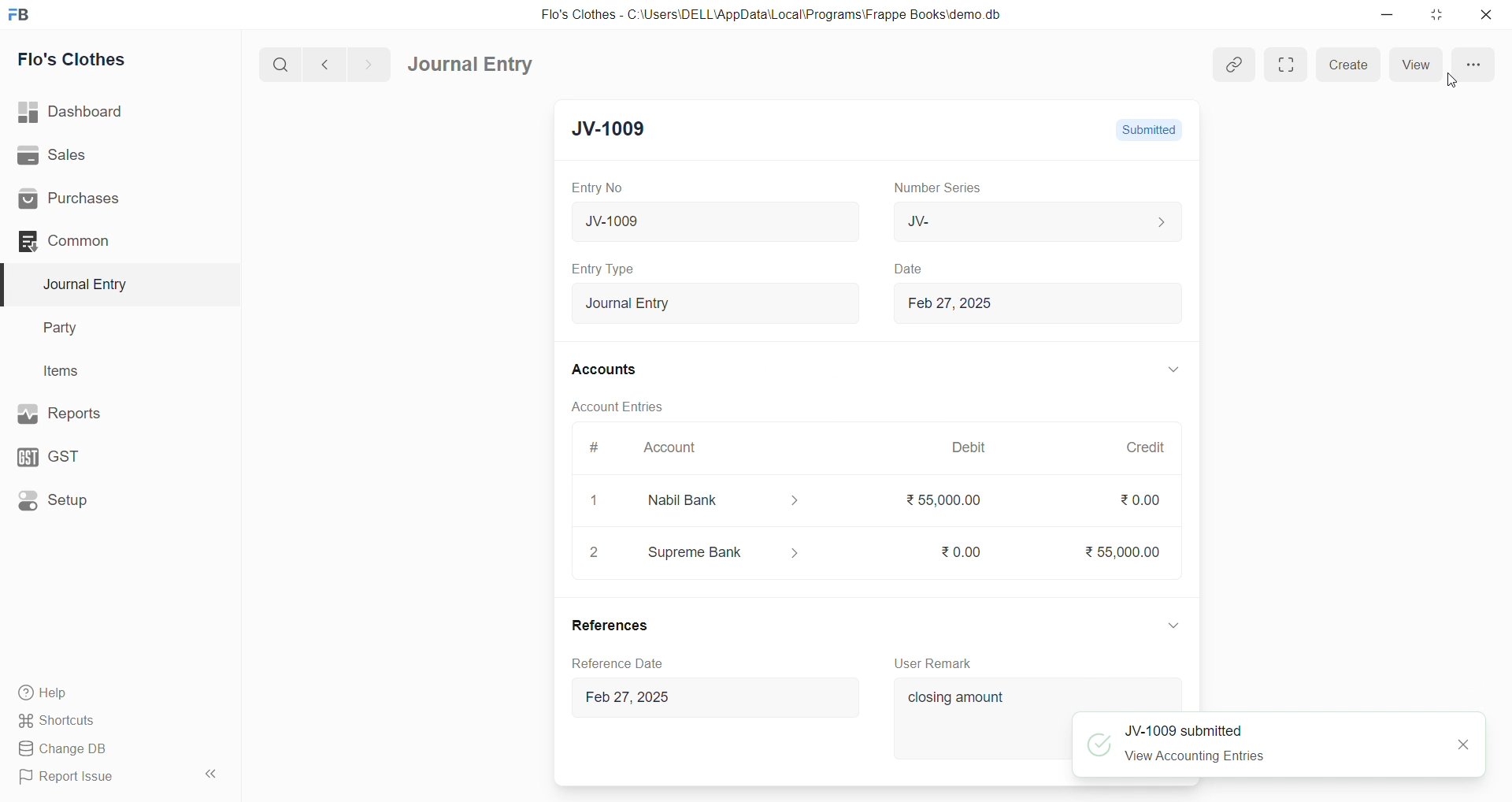  Describe the element at coordinates (594, 447) in the screenshot. I see `#` at that location.